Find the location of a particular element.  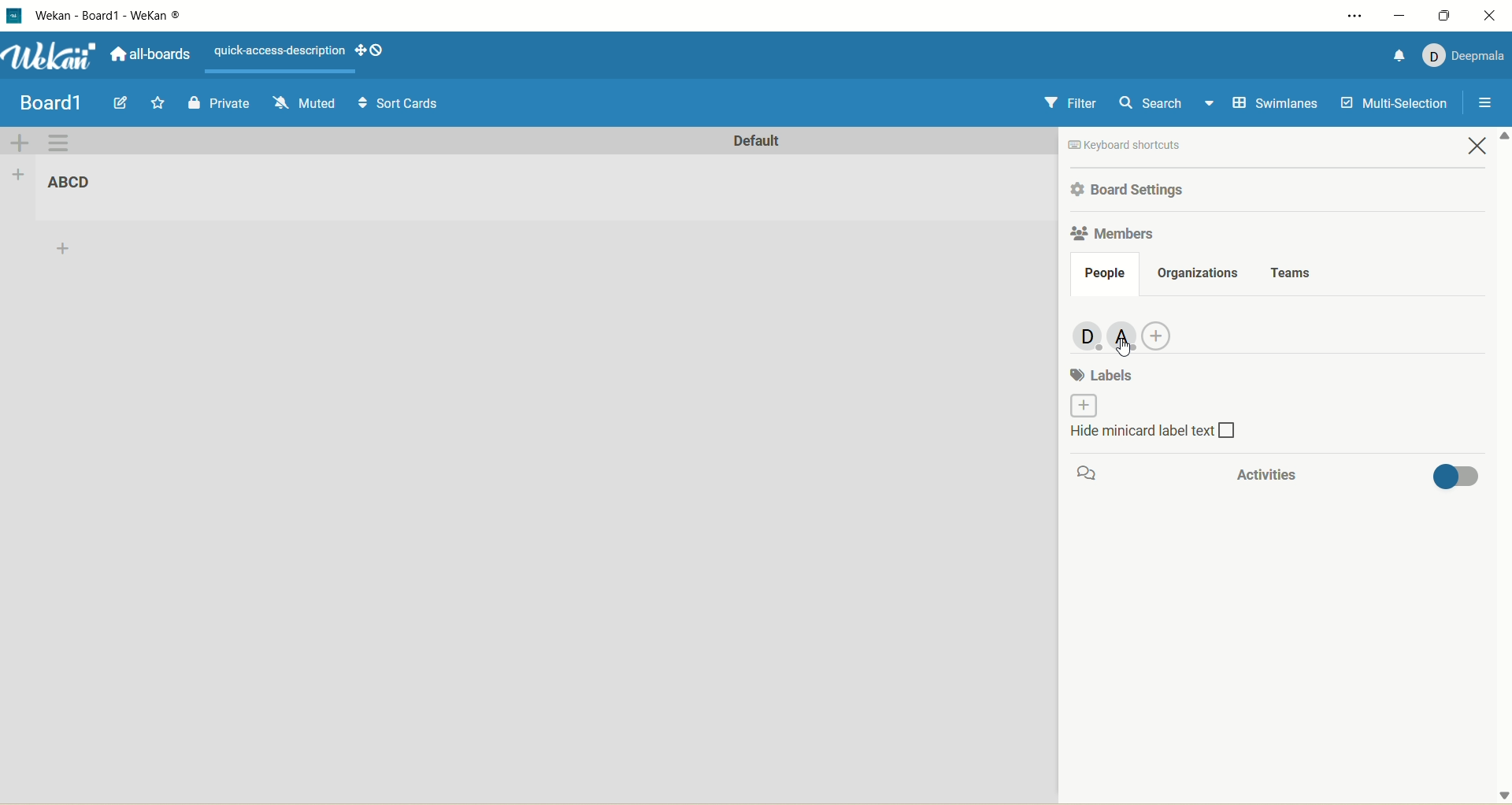

notification is located at coordinates (1396, 54).